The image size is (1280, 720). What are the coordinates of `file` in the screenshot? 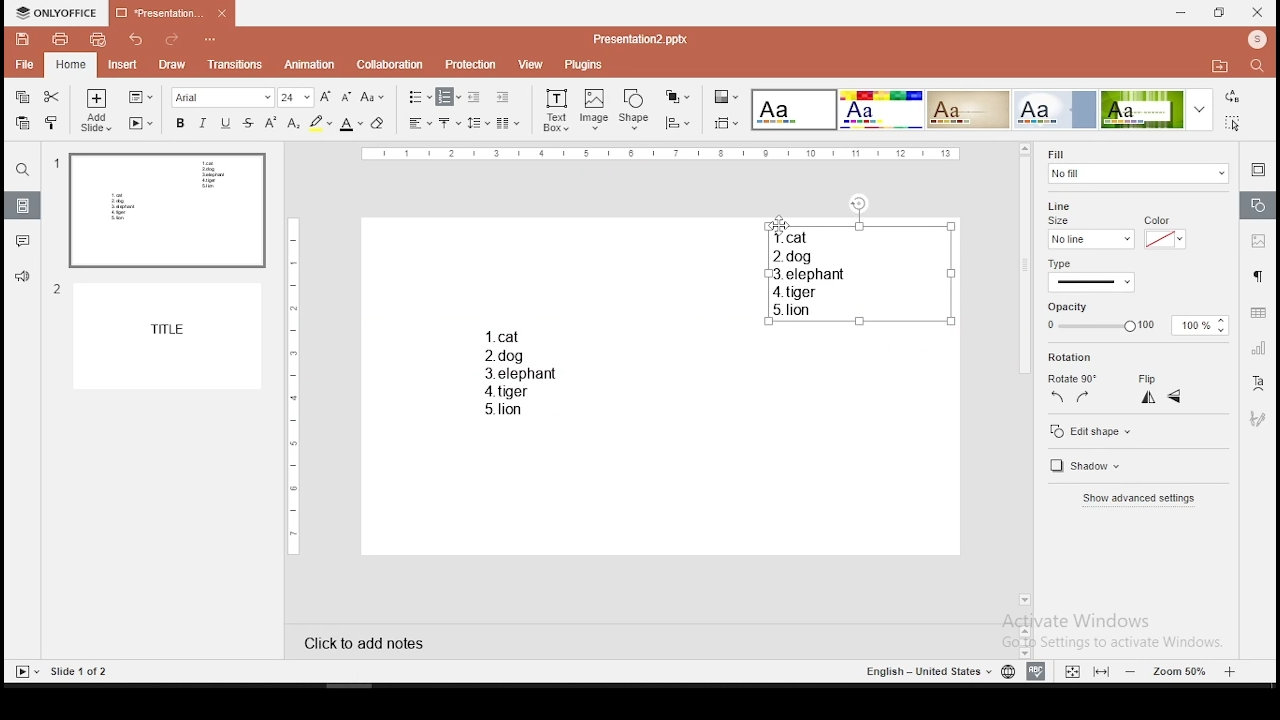 It's located at (24, 66).